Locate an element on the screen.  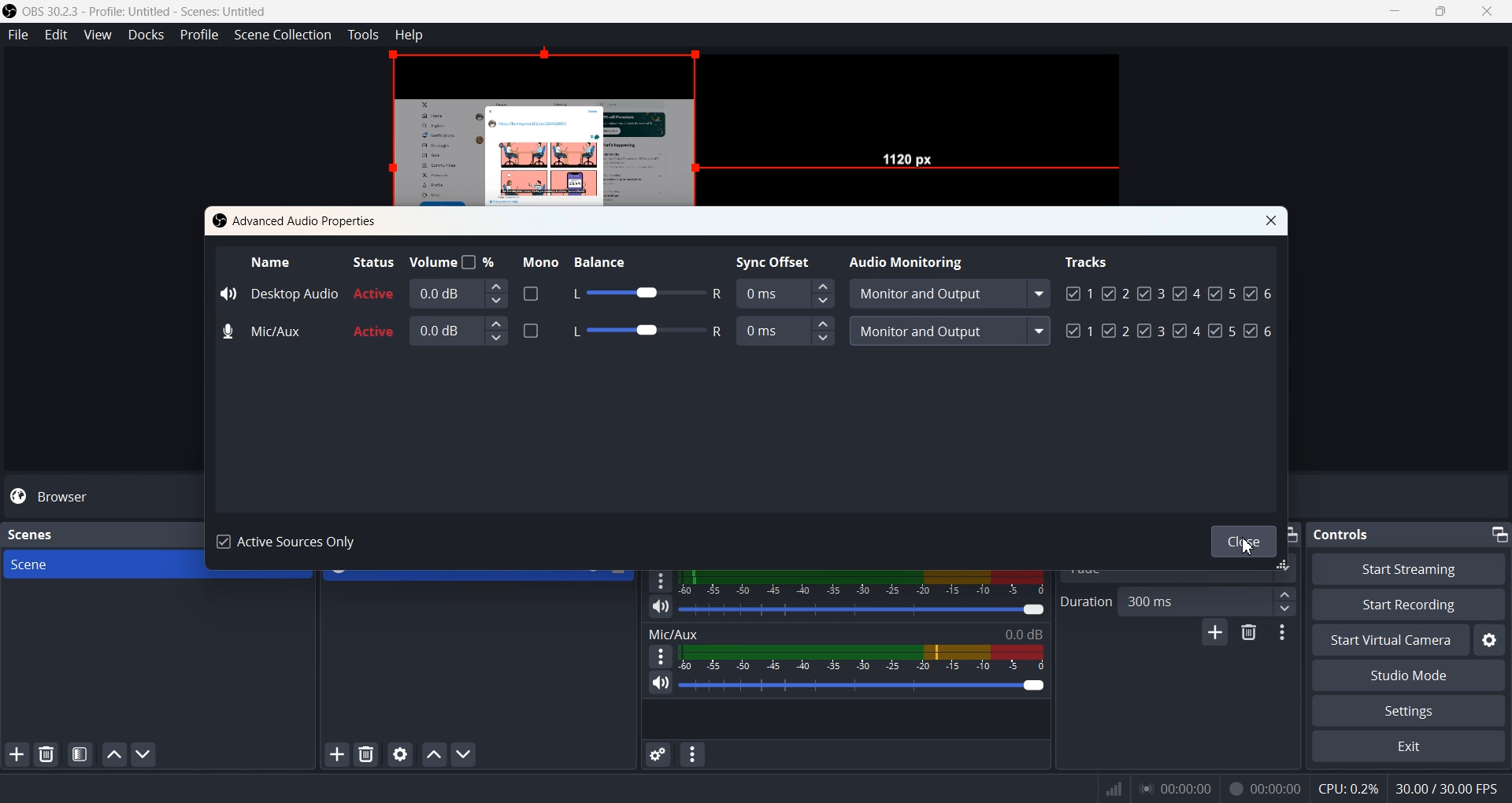
Browser is located at coordinates (101, 496).